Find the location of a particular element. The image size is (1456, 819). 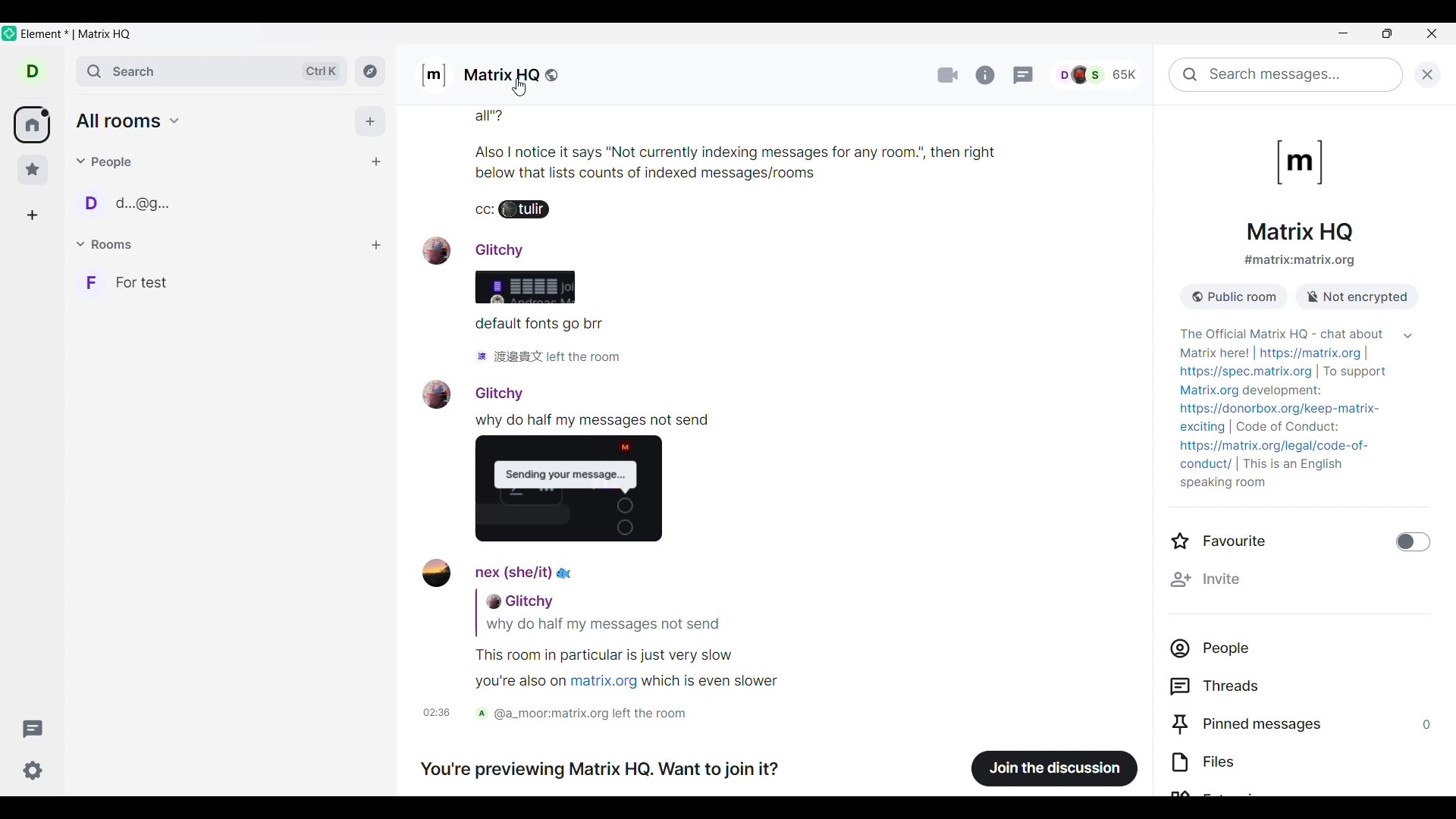

Start chat is located at coordinates (377, 162).